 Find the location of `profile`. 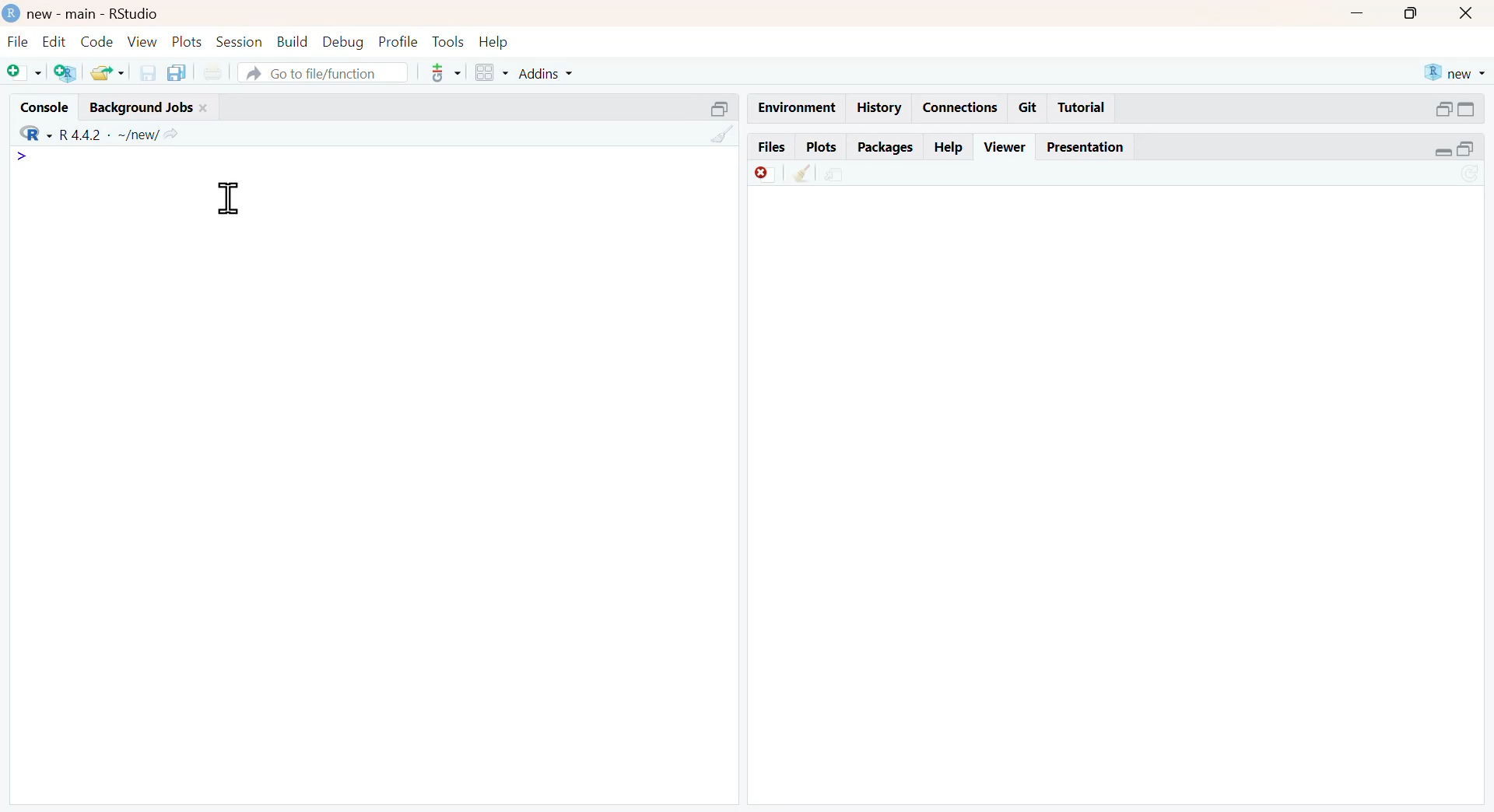

profile is located at coordinates (400, 42).